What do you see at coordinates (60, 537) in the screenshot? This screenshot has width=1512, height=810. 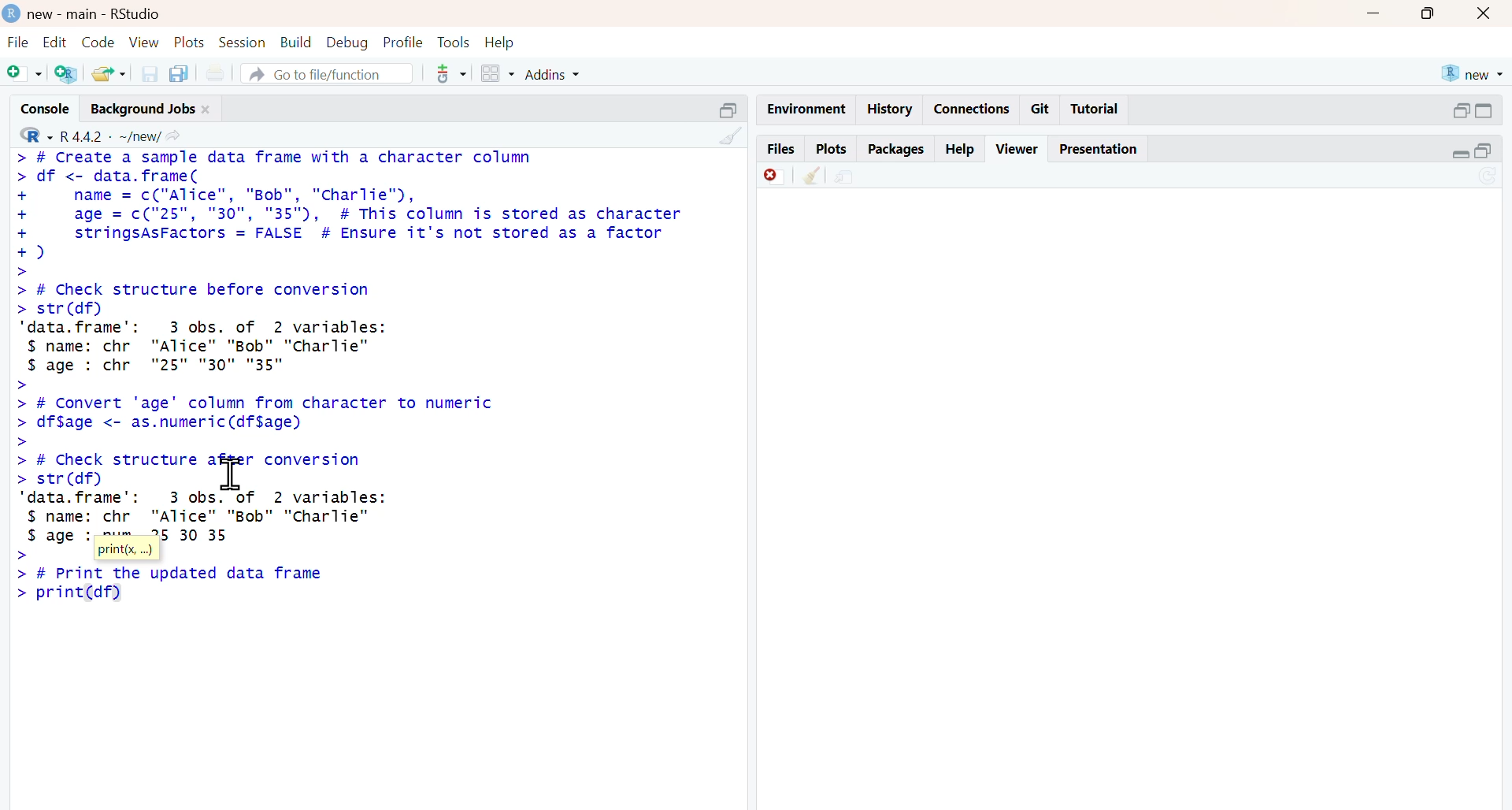 I see `$ age :` at bounding box center [60, 537].